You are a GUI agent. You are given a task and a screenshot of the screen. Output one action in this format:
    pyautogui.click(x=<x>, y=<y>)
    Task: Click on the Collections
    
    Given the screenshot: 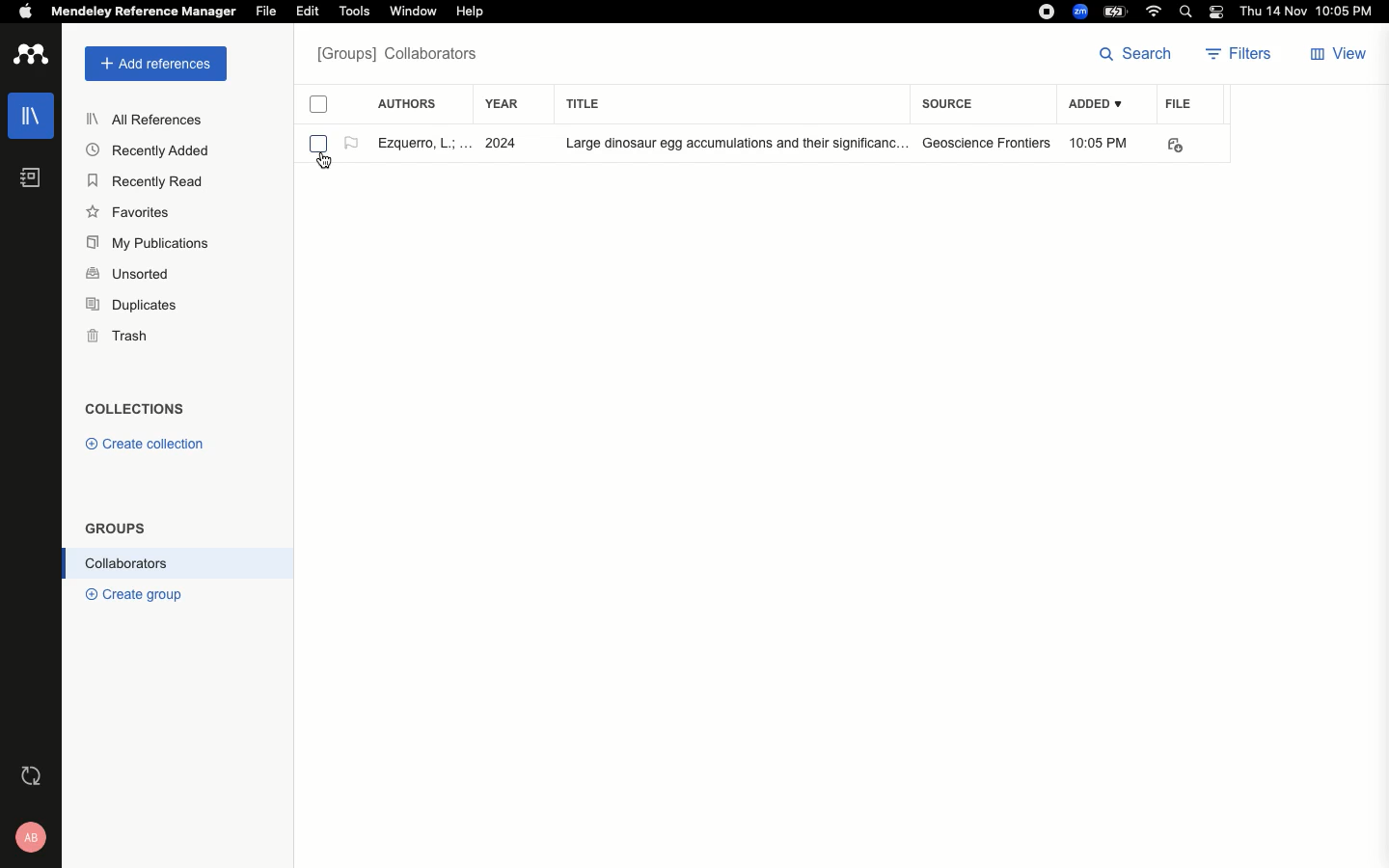 What is the action you would take?
    pyautogui.click(x=141, y=411)
    